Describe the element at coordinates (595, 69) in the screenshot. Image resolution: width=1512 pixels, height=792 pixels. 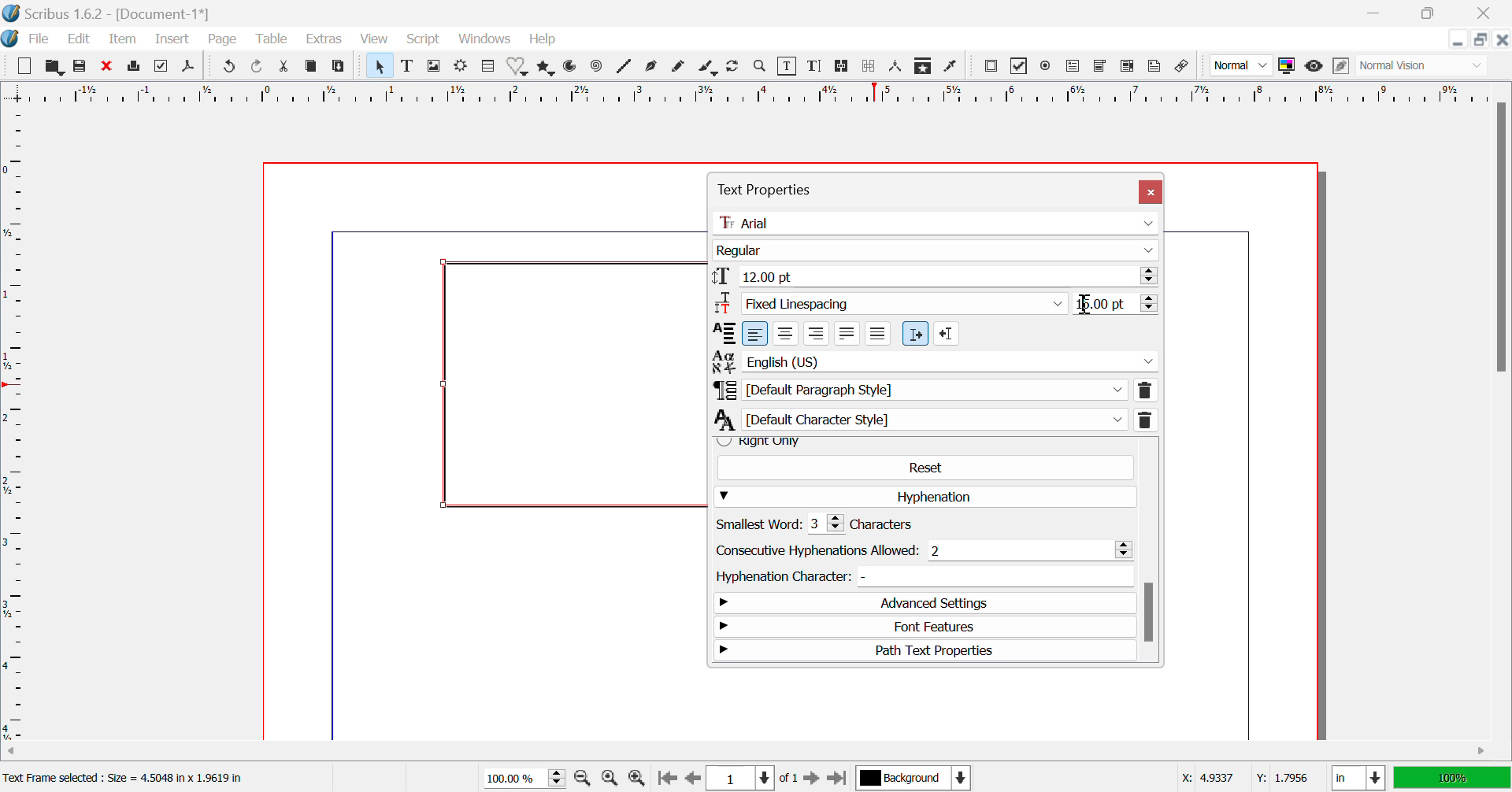
I see `Spiral` at that location.